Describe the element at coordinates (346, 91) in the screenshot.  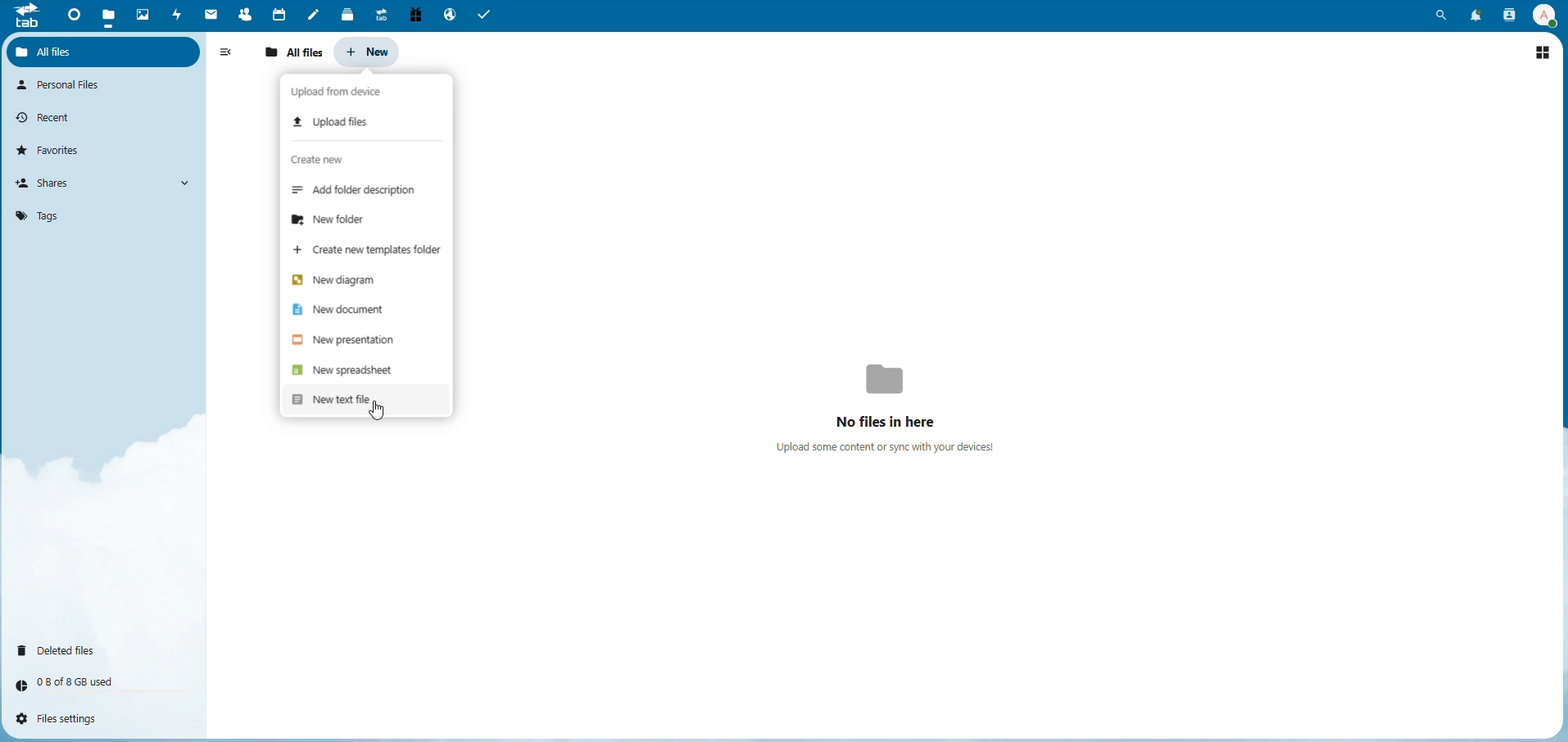
I see `upload from device` at that location.